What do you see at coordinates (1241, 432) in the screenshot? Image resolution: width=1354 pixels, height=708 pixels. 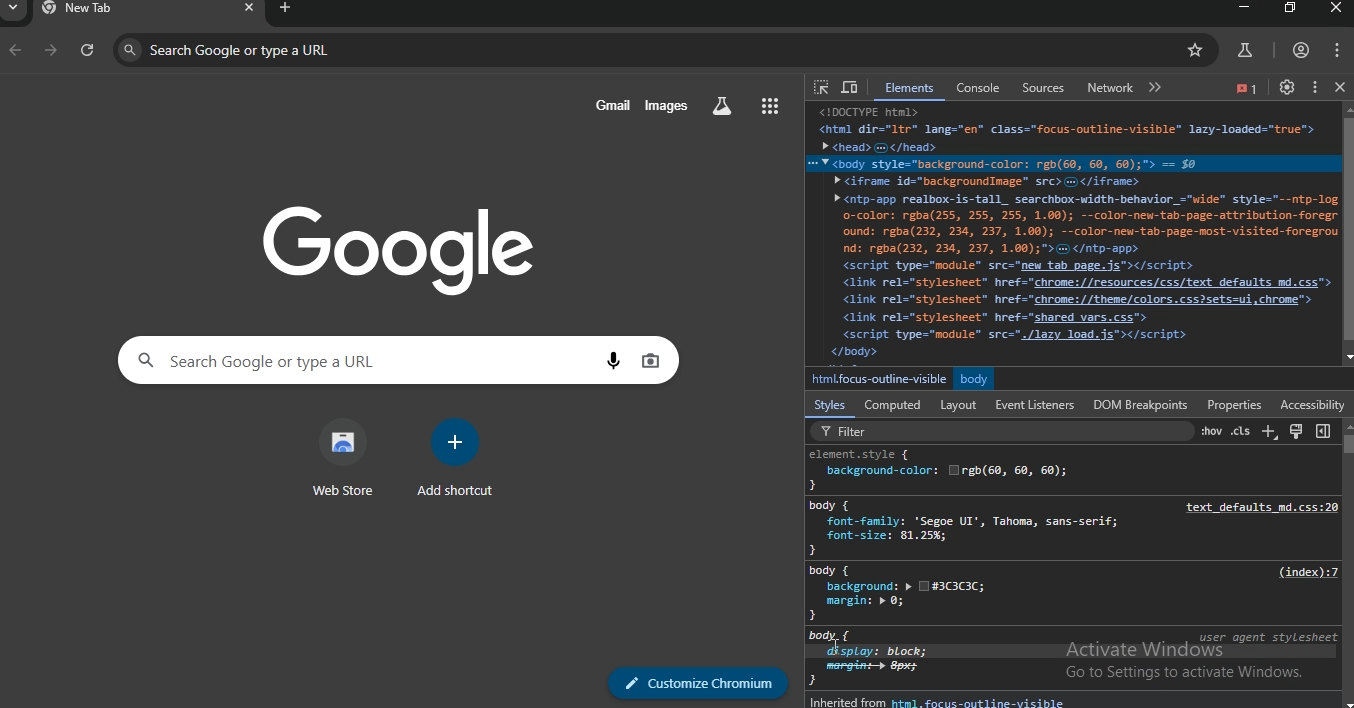 I see `element classes` at bounding box center [1241, 432].